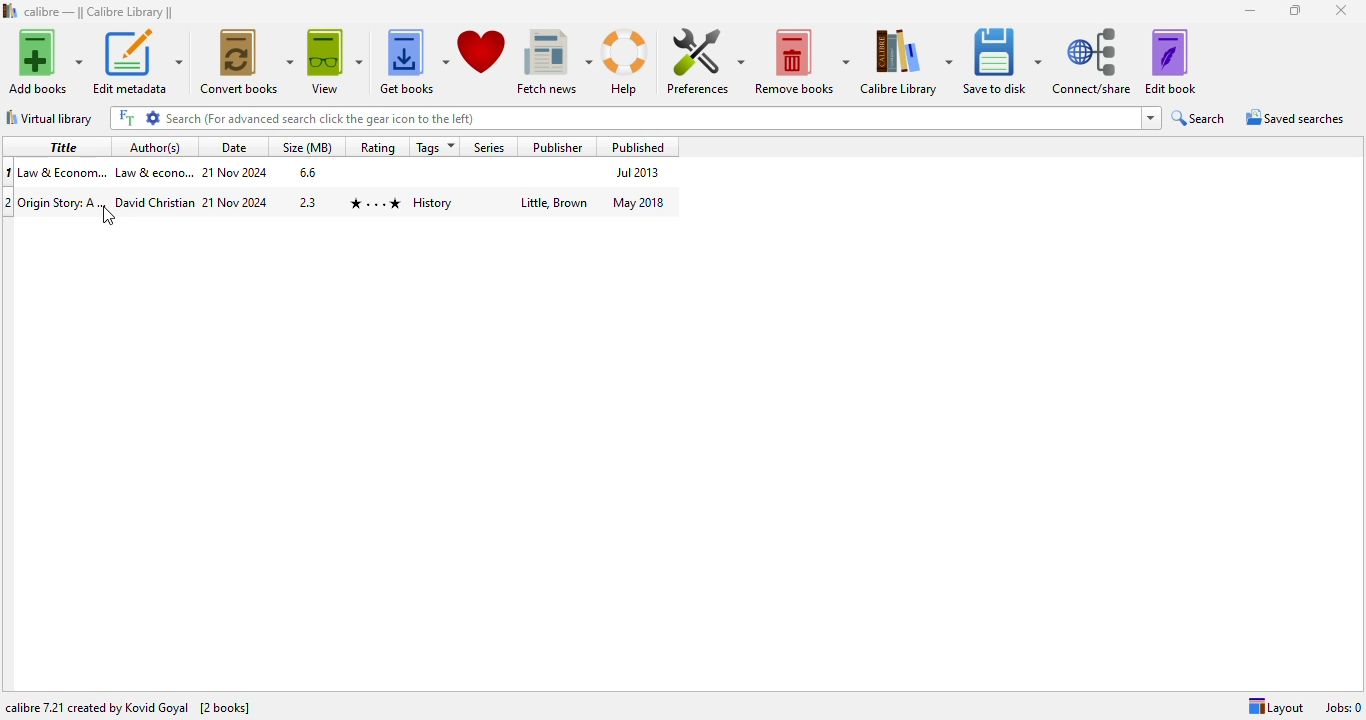 The width and height of the screenshot is (1366, 720). Describe the element at coordinates (60, 146) in the screenshot. I see `title` at that location.